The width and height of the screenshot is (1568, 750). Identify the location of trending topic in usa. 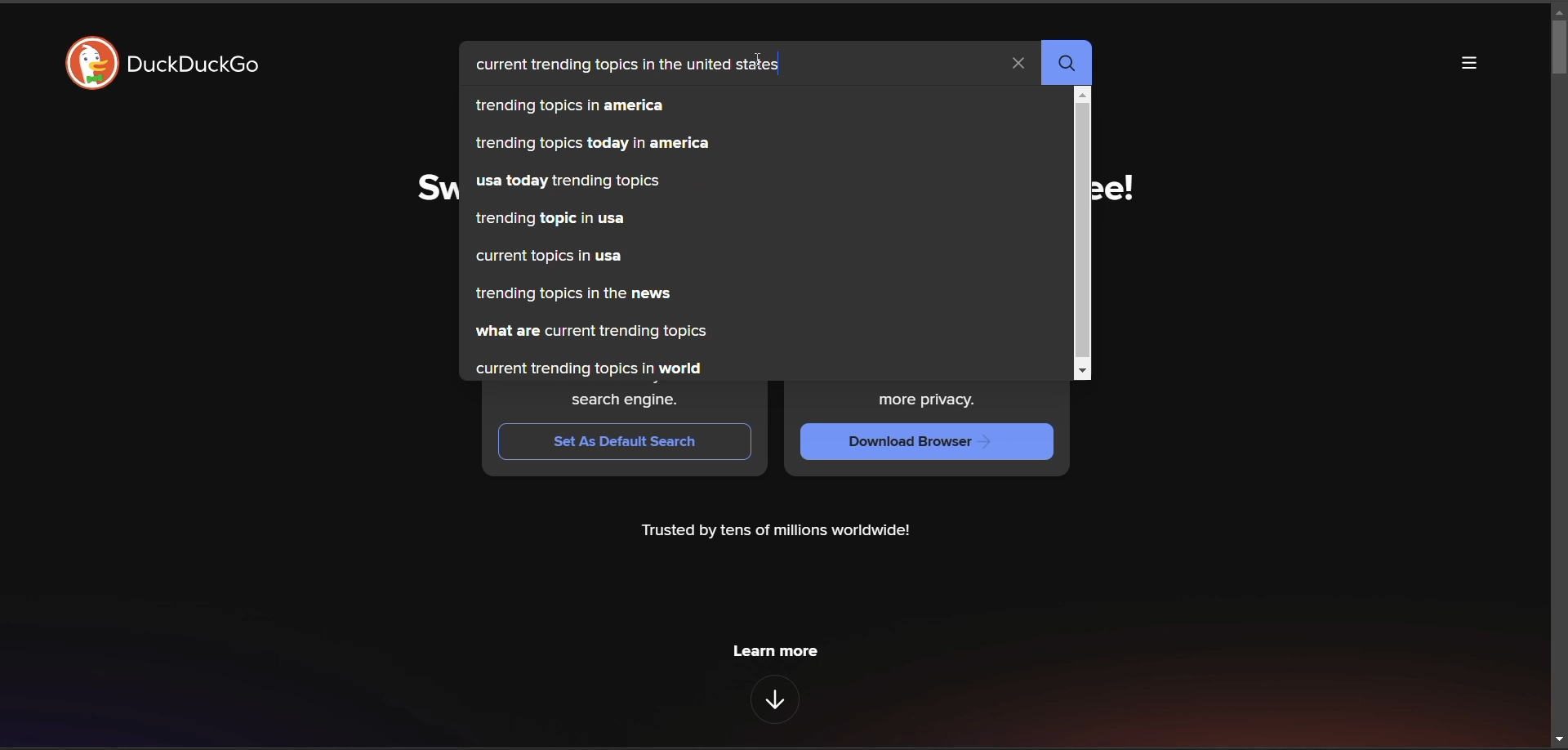
(558, 220).